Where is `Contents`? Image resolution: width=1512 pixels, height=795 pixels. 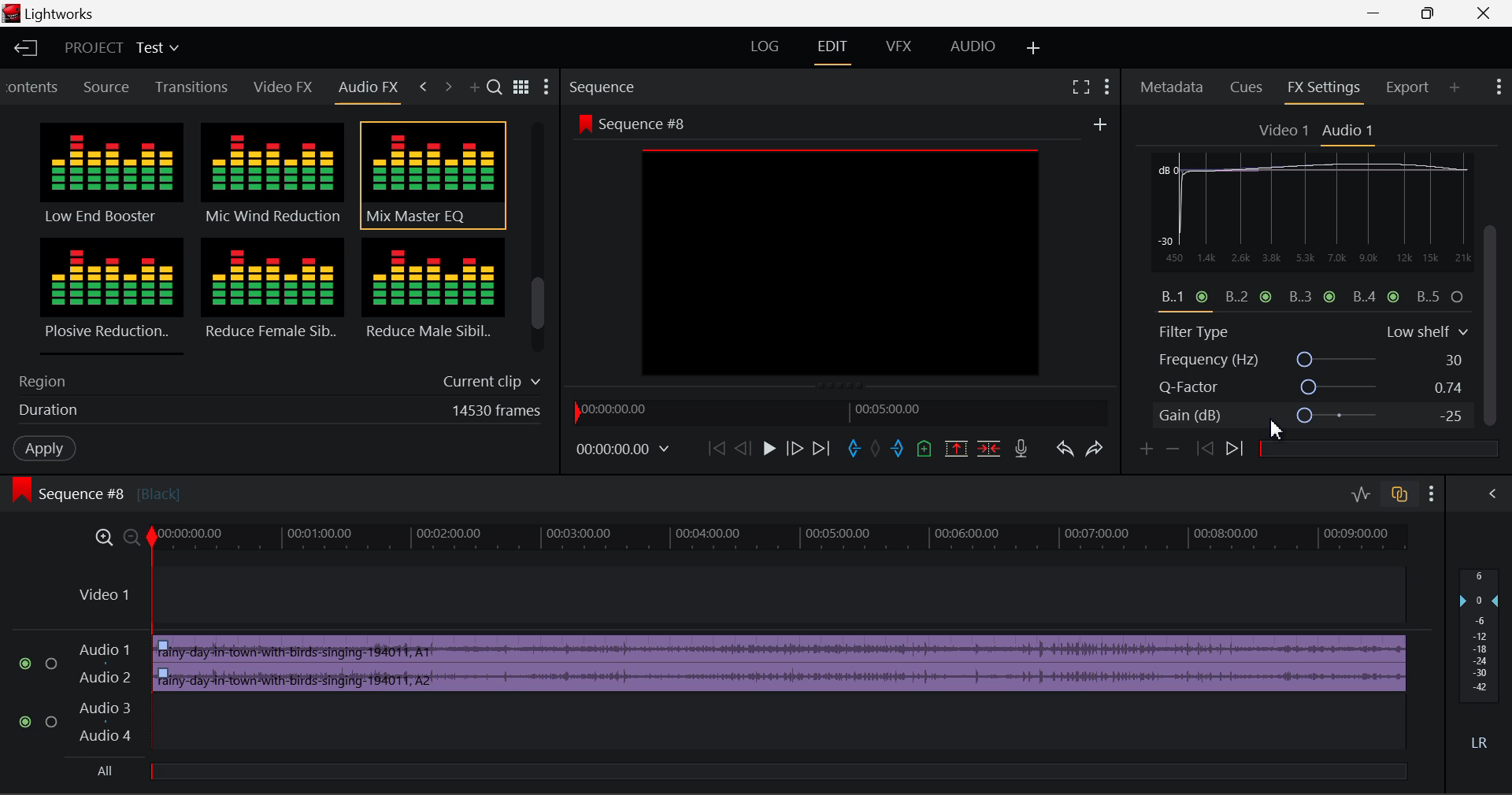 Contents is located at coordinates (34, 85).